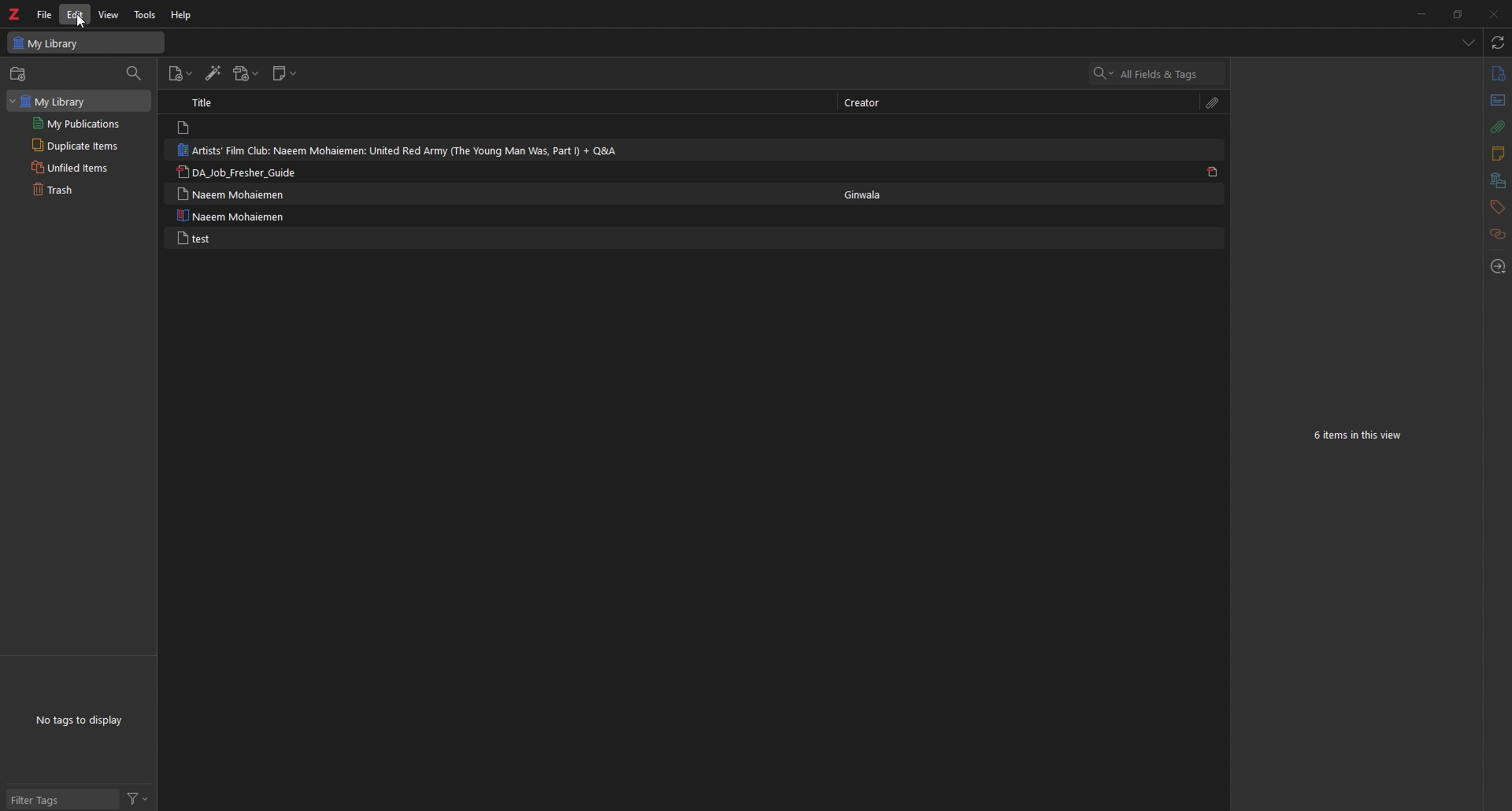 The height and width of the screenshot is (811, 1512). I want to click on info, so click(1497, 74).